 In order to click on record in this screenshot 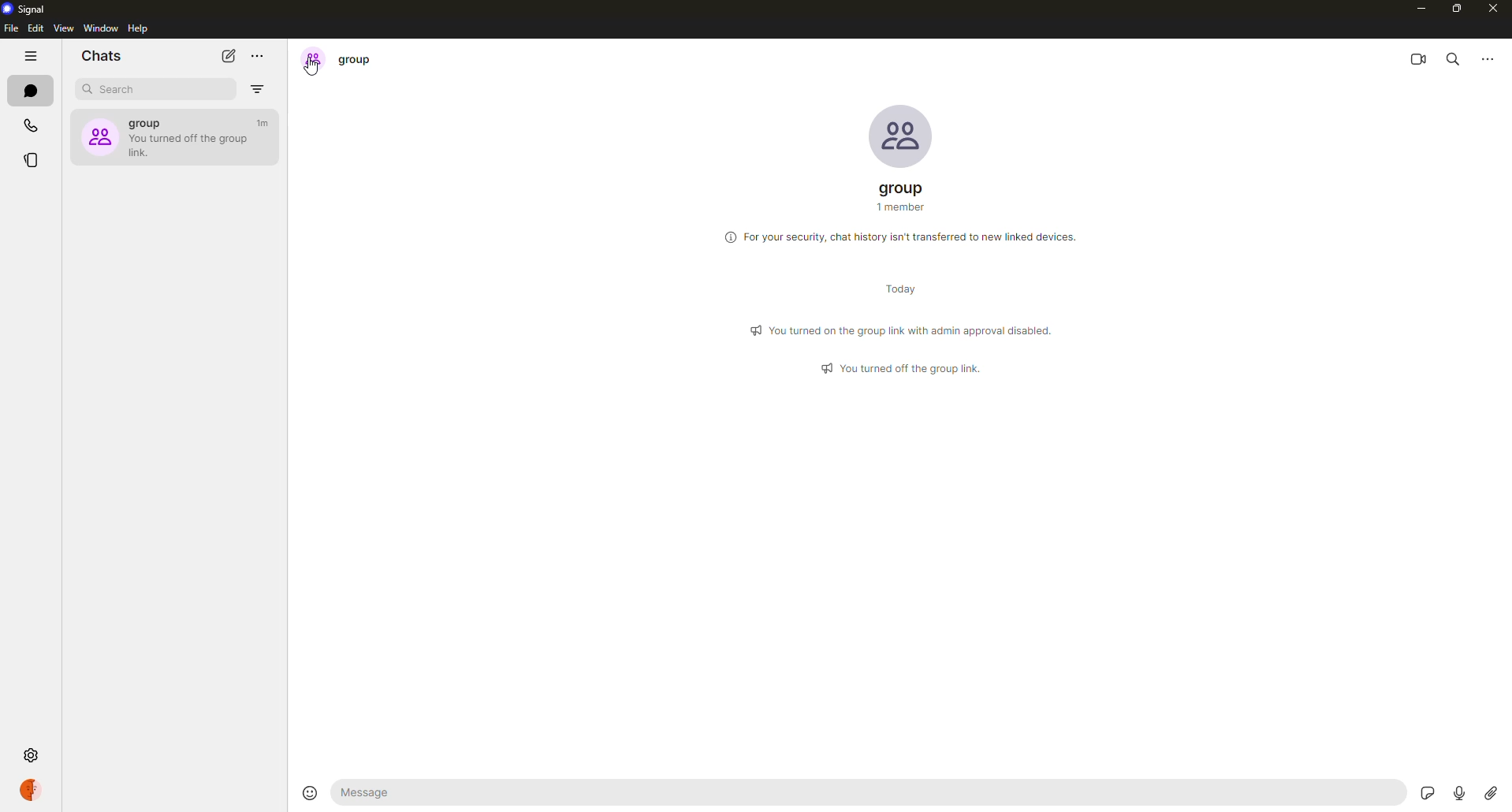, I will do `click(1457, 790)`.